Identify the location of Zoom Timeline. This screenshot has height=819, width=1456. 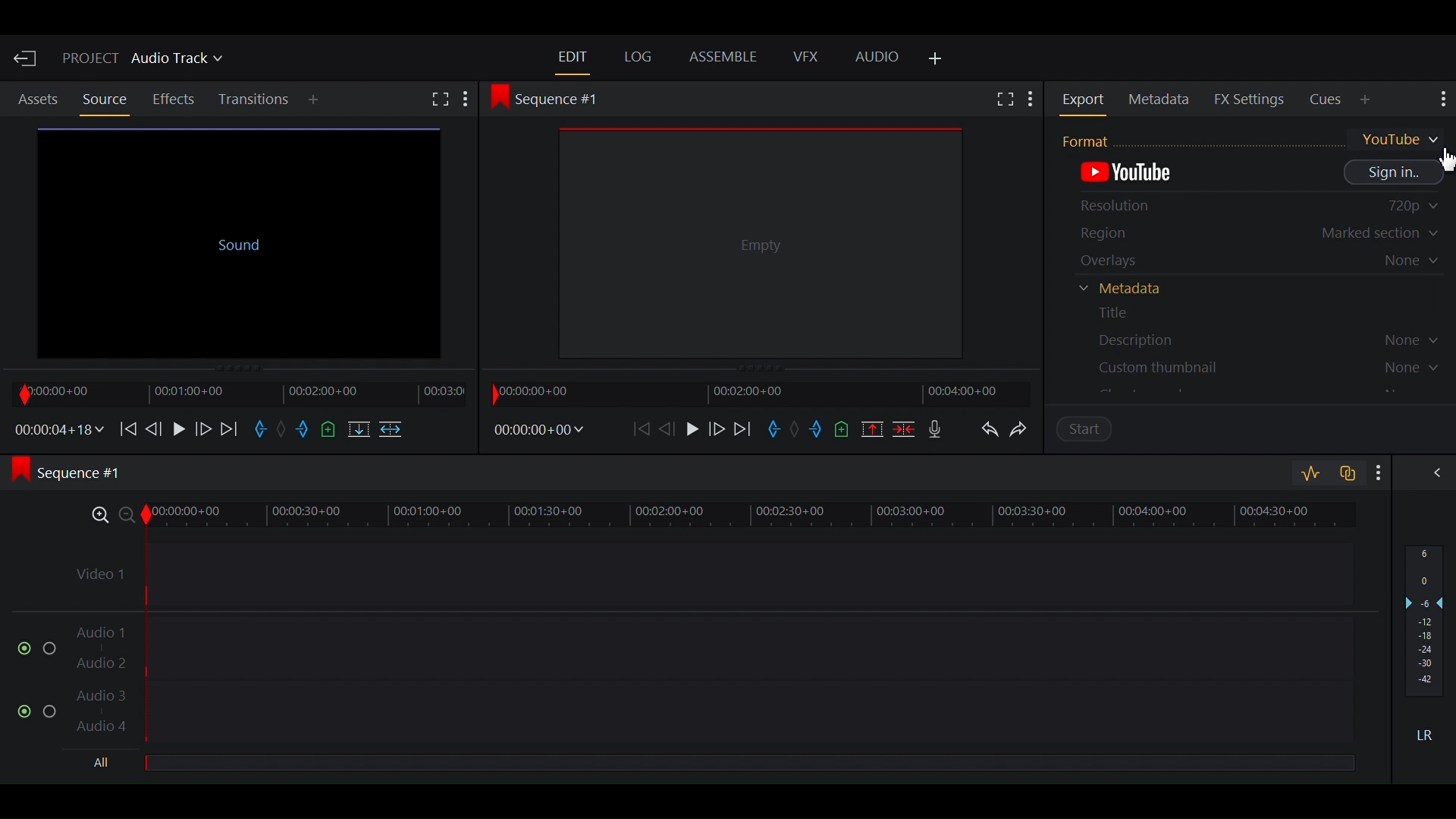
(713, 513).